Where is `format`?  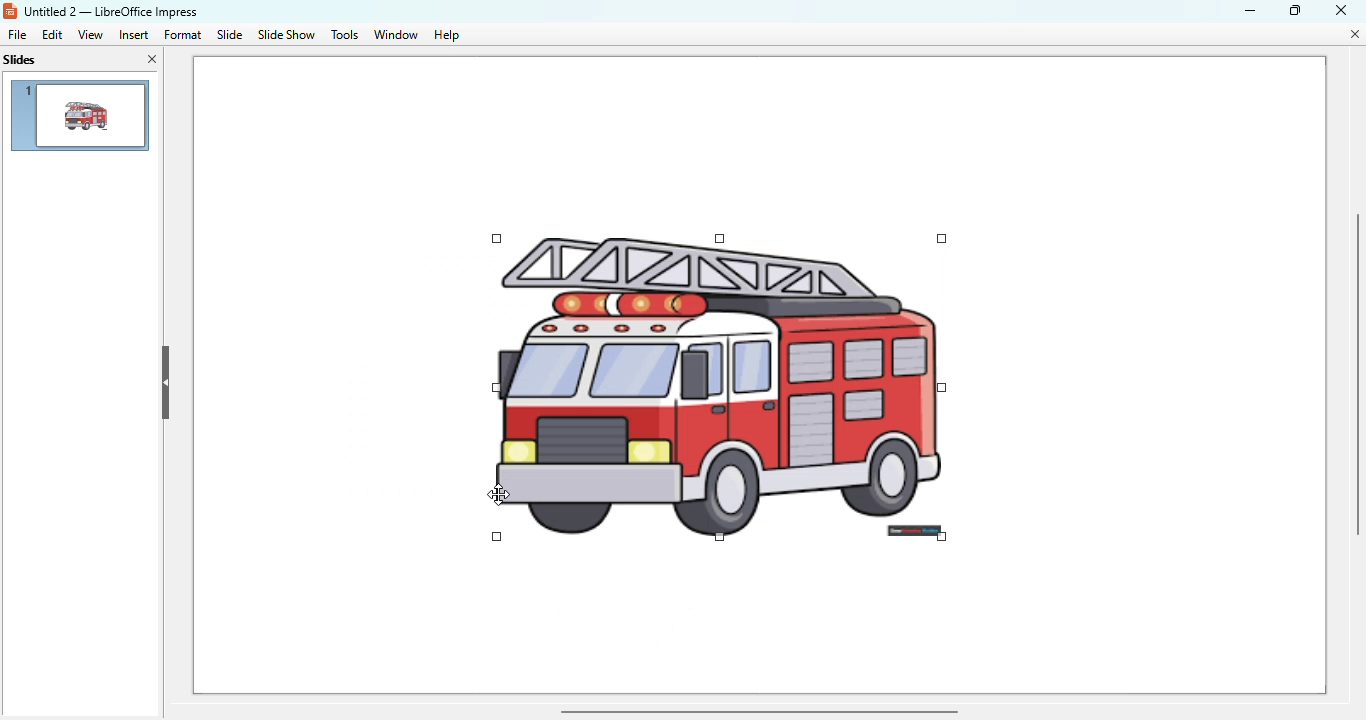 format is located at coordinates (182, 34).